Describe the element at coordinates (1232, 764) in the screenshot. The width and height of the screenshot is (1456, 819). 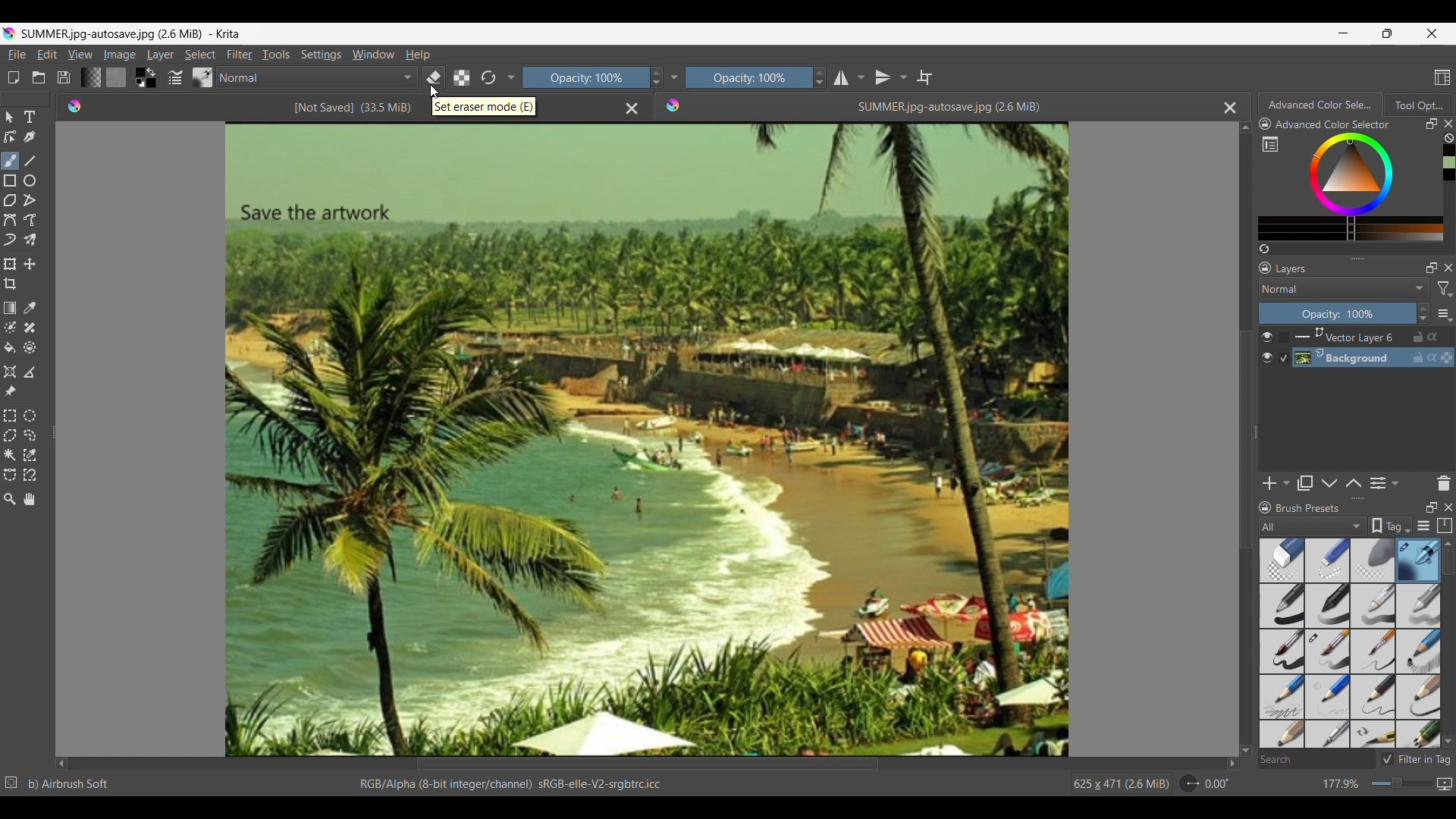
I see `Quick slide to right` at that location.